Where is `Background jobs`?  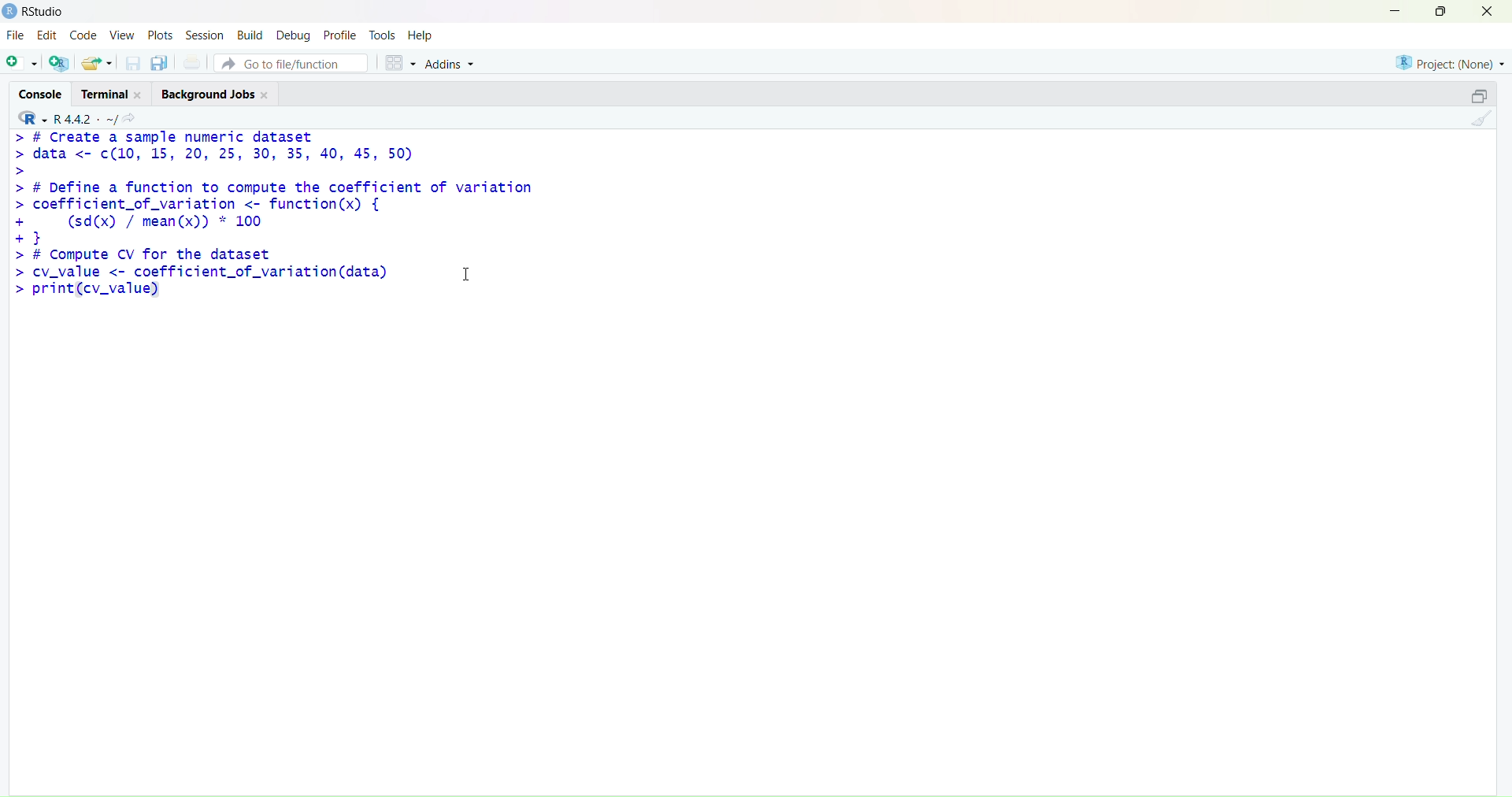
Background jobs is located at coordinates (207, 96).